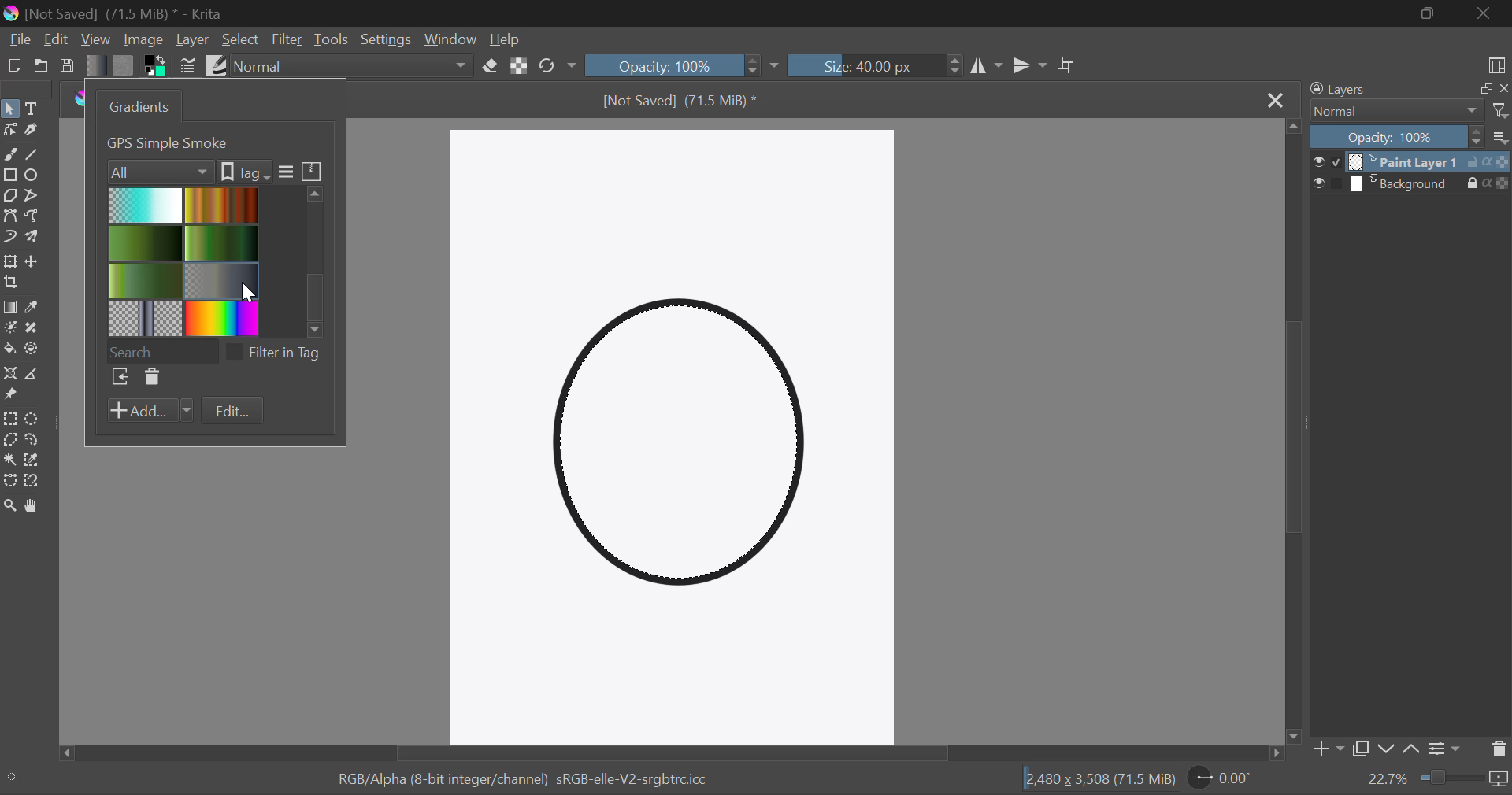 This screenshot has width=1512, height=795. What do you see at coordinates (34, 133) in the screenshot?
I see `Calligraphic Tool` at bounding box center [34, 133].